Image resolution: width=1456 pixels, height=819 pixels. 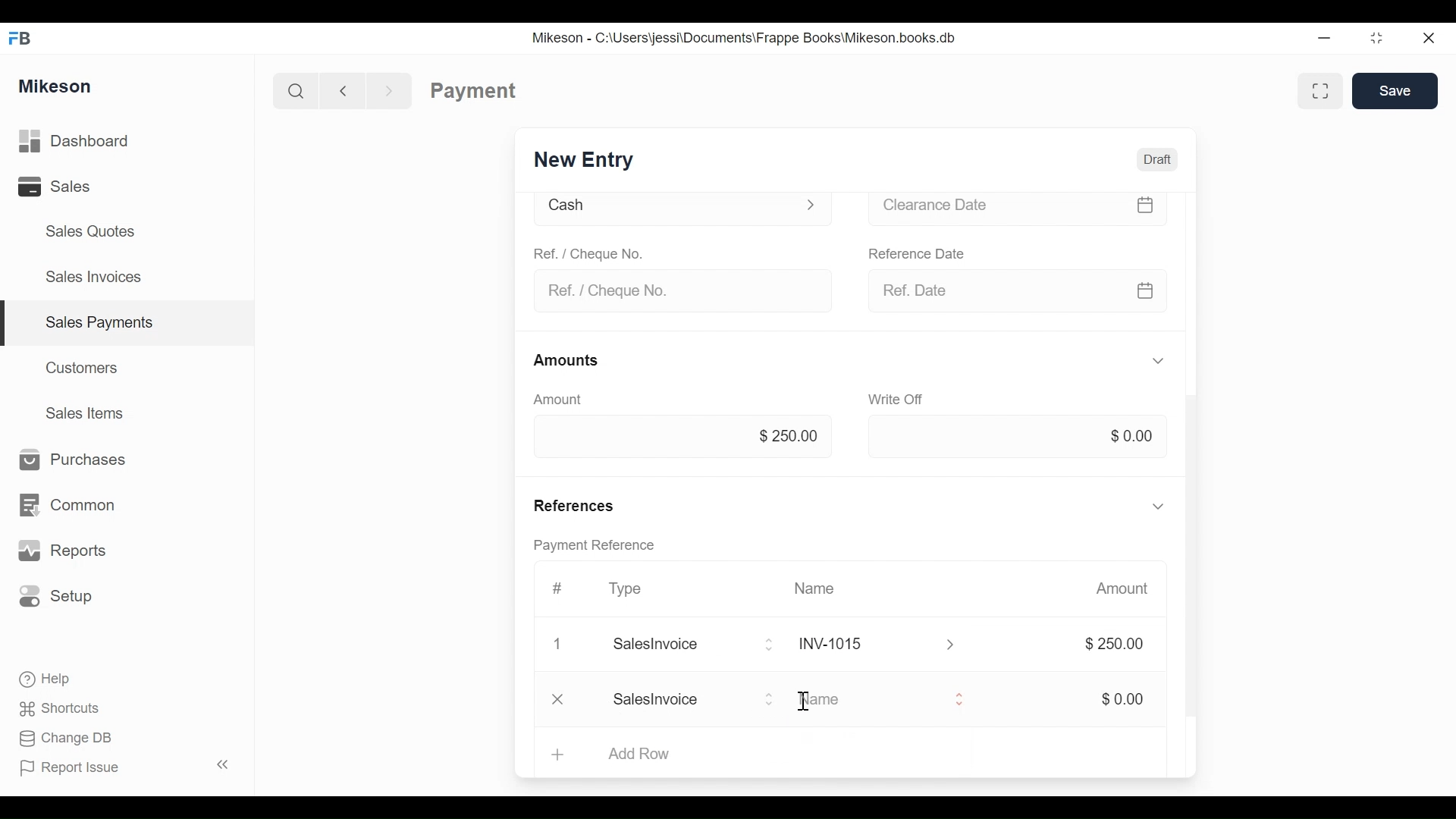 What do you see at coordinates (24, 36) in the screenshot?
I see `FB` at bounding box center [24, 36].